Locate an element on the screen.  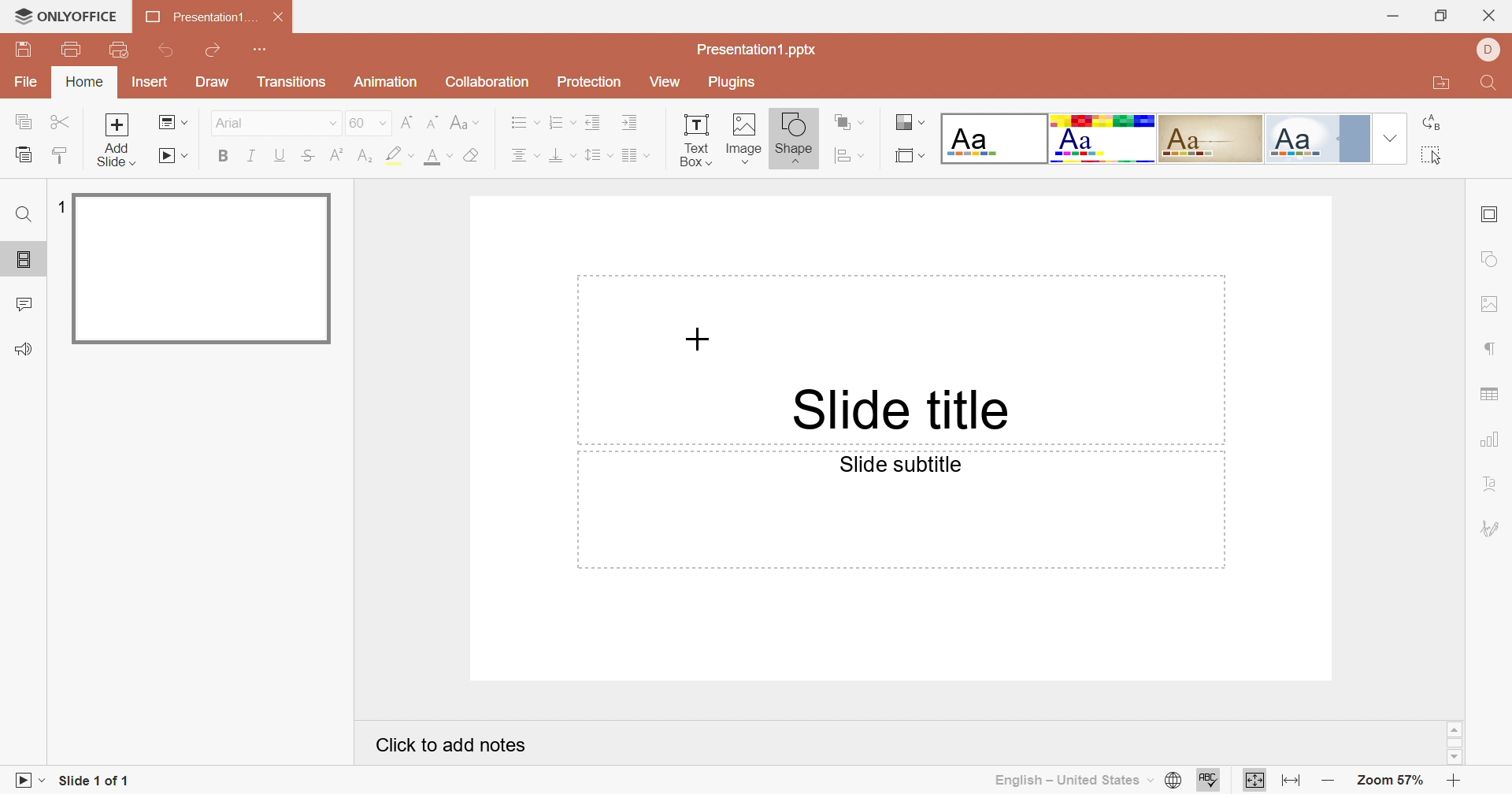
Draw is located at coordinates (210, 80).